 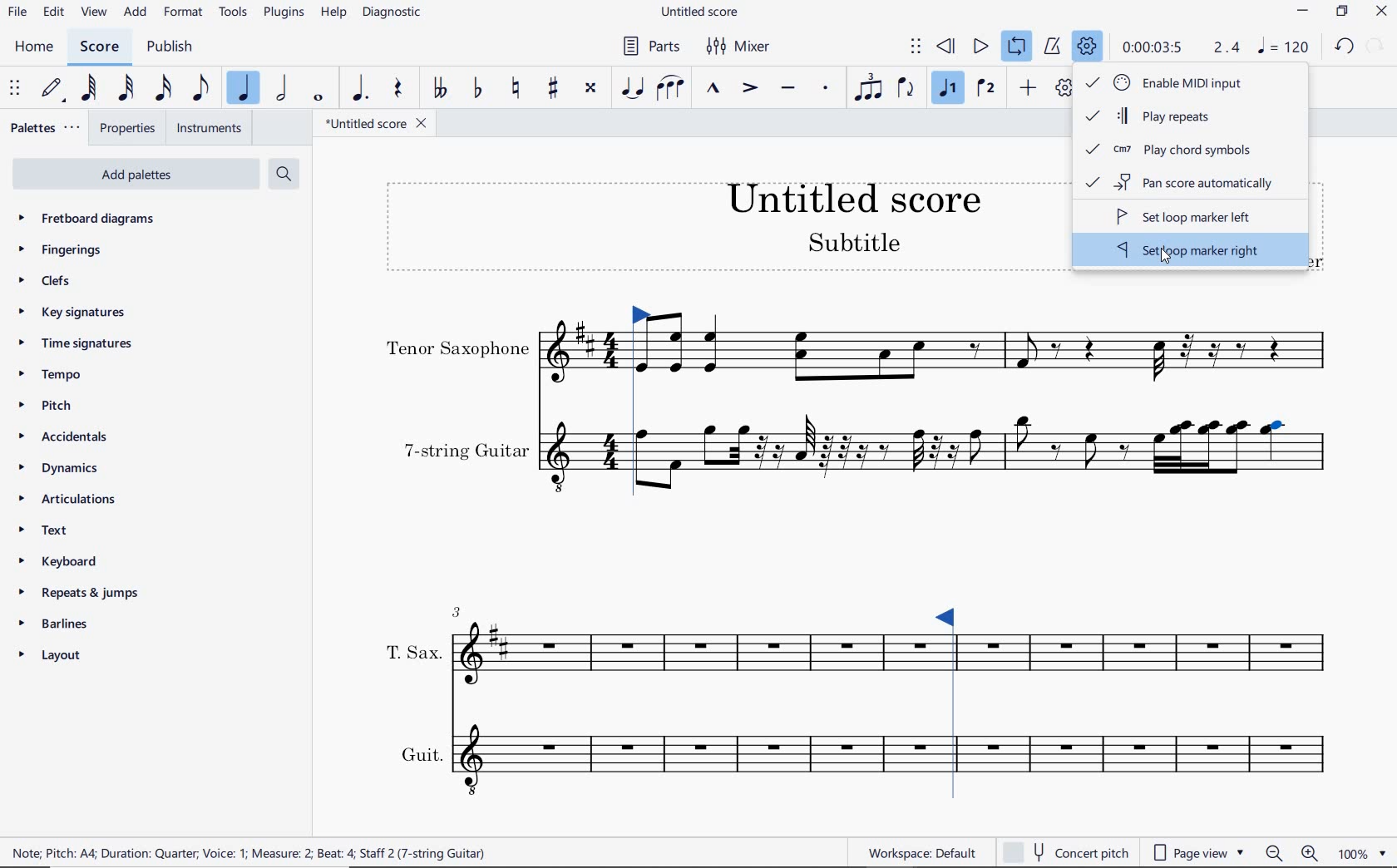 I want to click on PLUGINS, so click(x=283, y=13).